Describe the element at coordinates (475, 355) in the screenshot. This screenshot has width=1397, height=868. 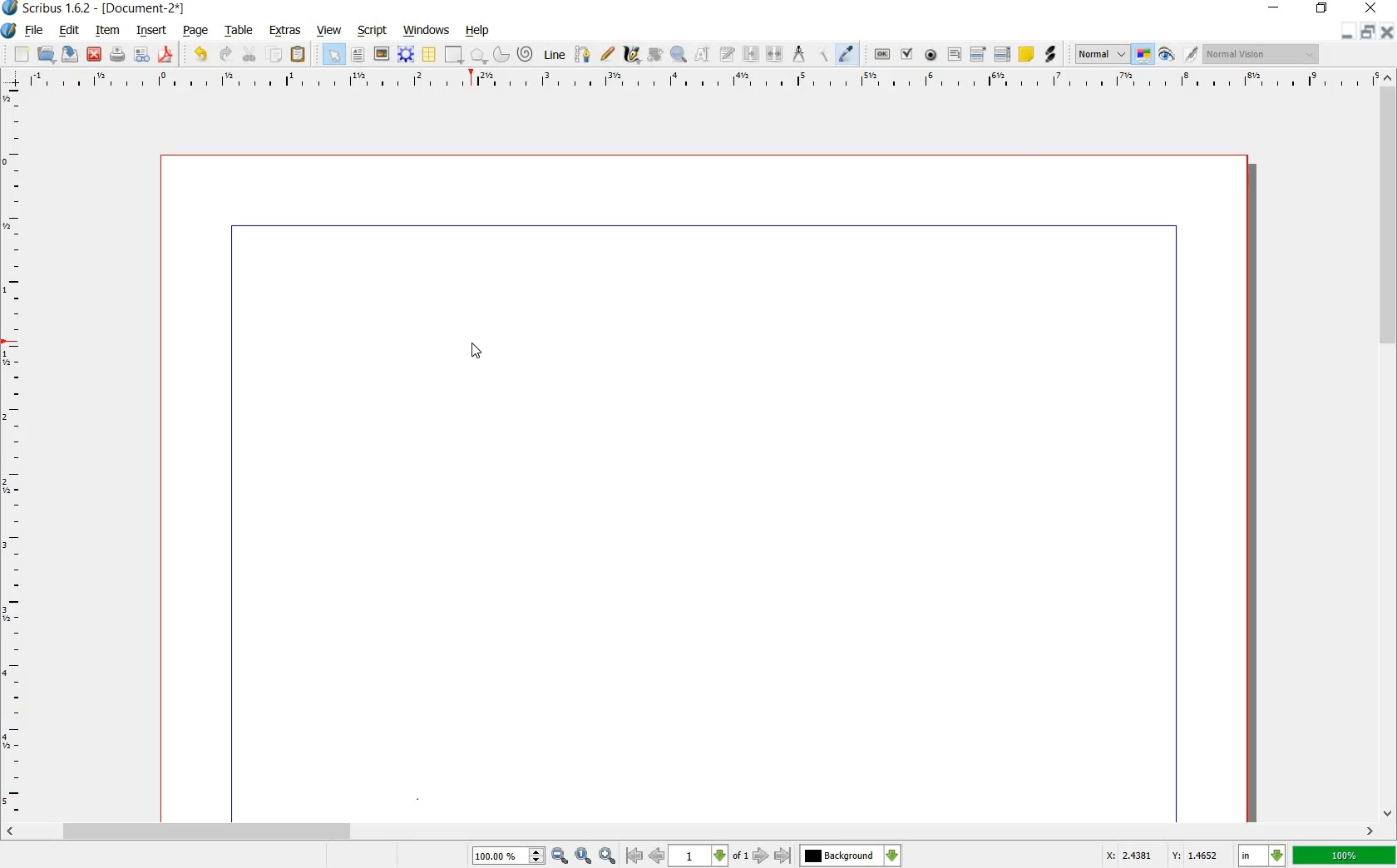
I see `CURSOR` at that location.